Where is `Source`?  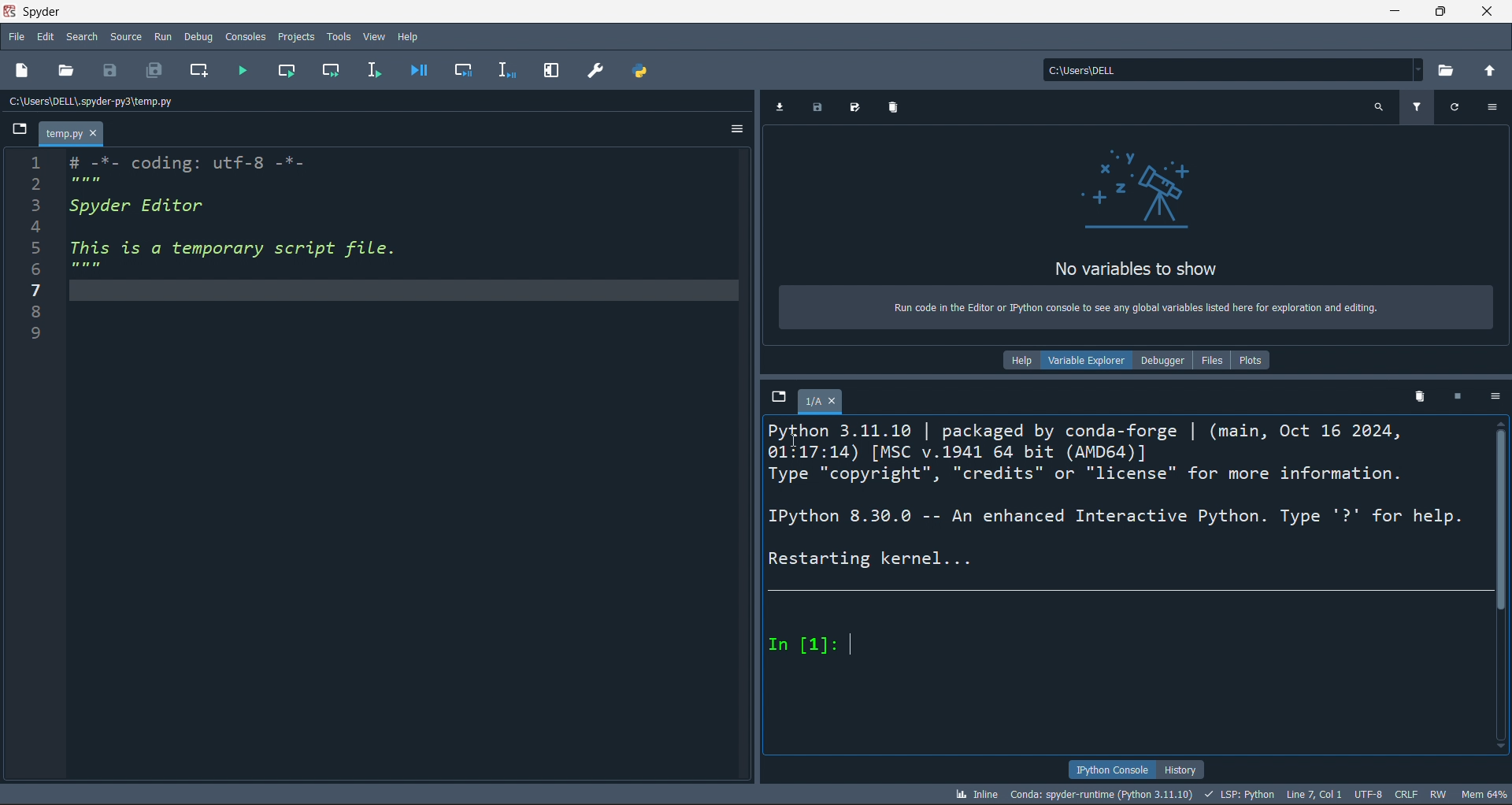 Source is located at coordinates (125, 38).